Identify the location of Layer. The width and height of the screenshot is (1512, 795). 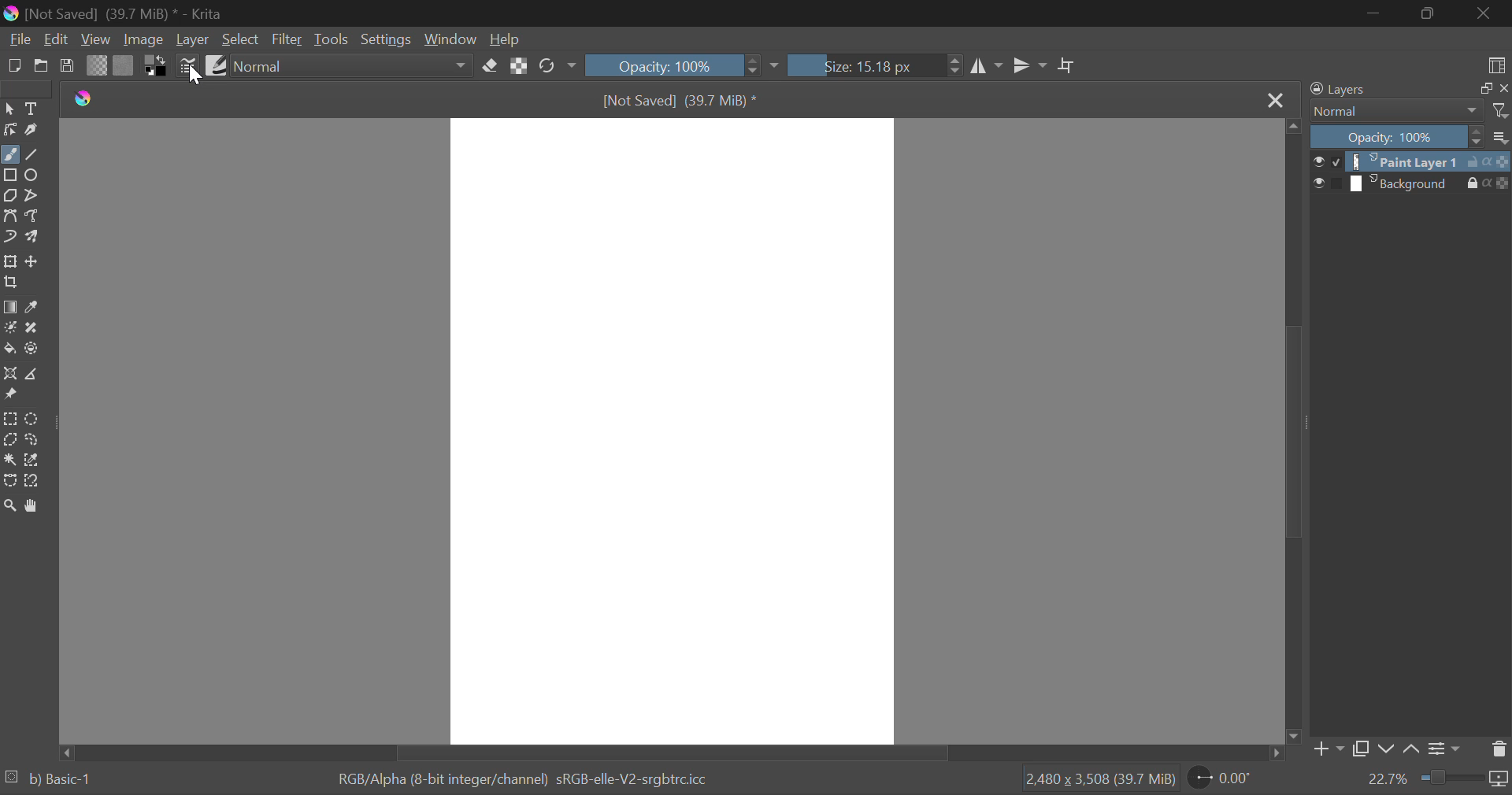
(193, 41).